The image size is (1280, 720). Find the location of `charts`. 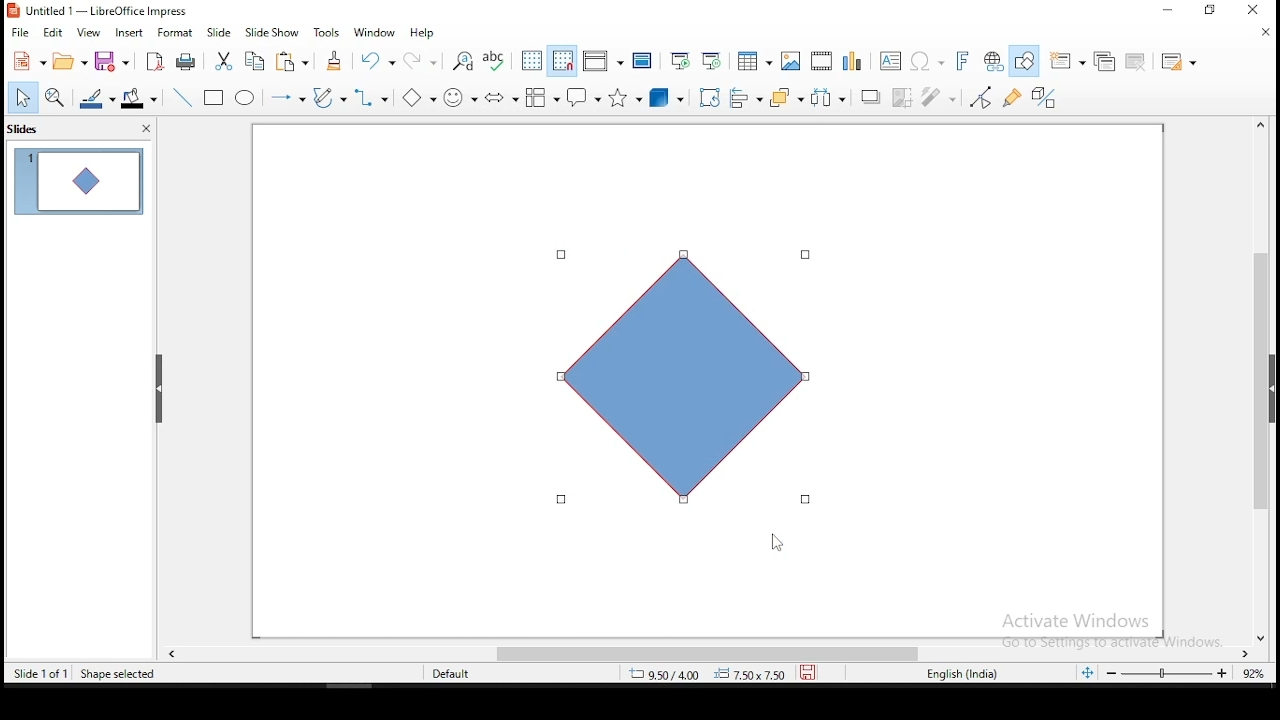

charts is located at coordinates (857, 59).